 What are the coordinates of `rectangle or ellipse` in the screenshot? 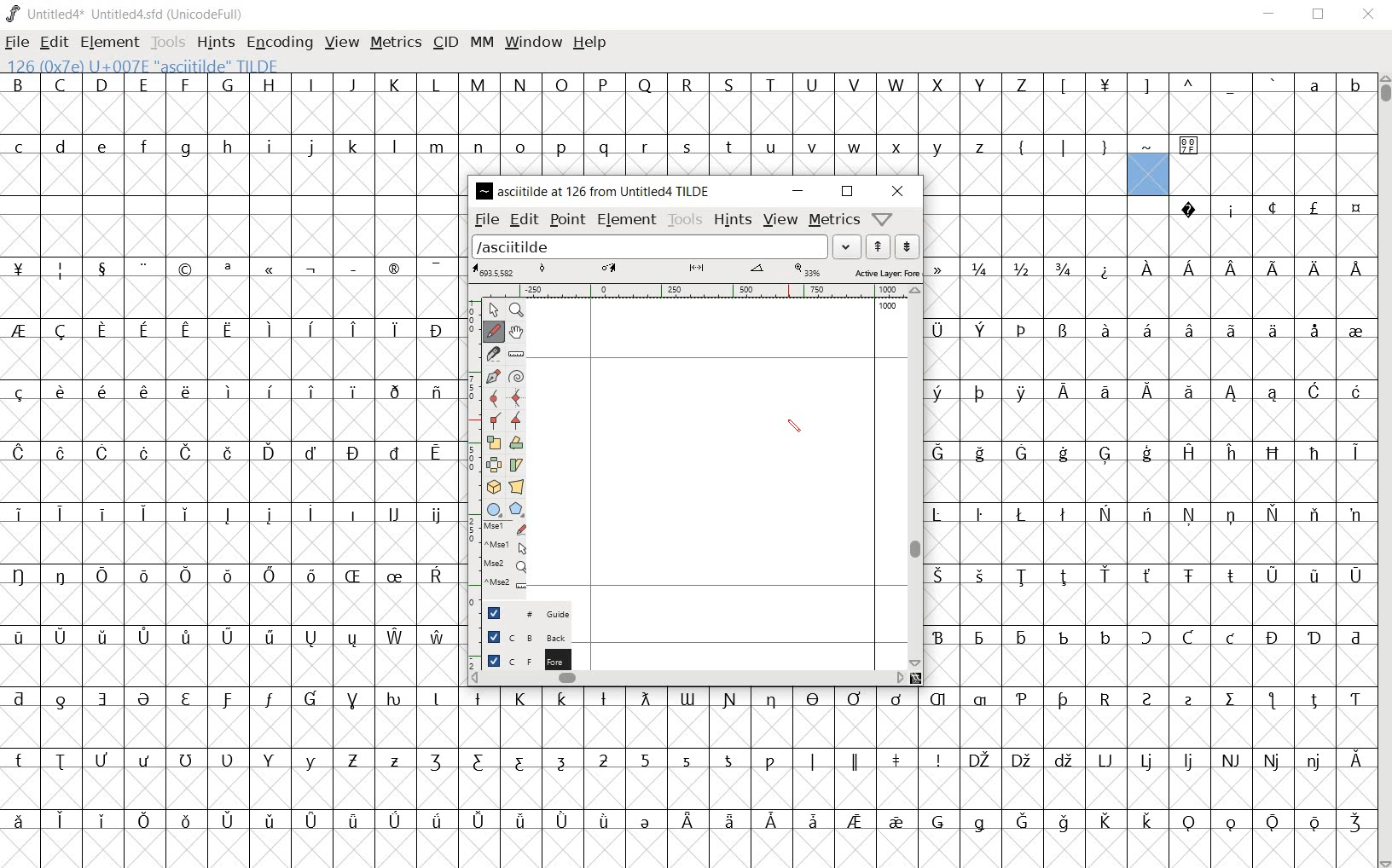 It's located at (493, 510).